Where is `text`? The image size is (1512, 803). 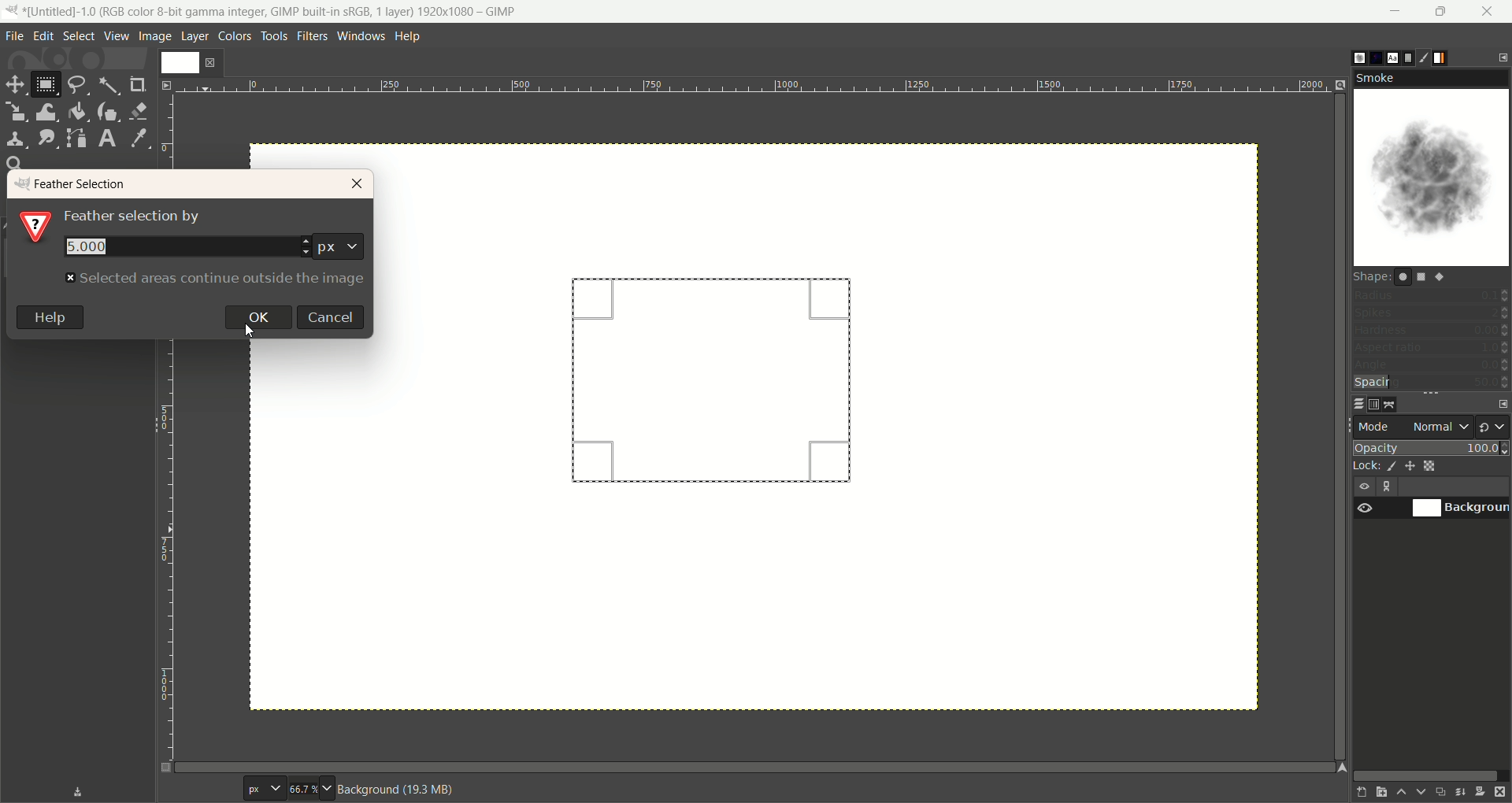
text is located at coordinates (135, 219).